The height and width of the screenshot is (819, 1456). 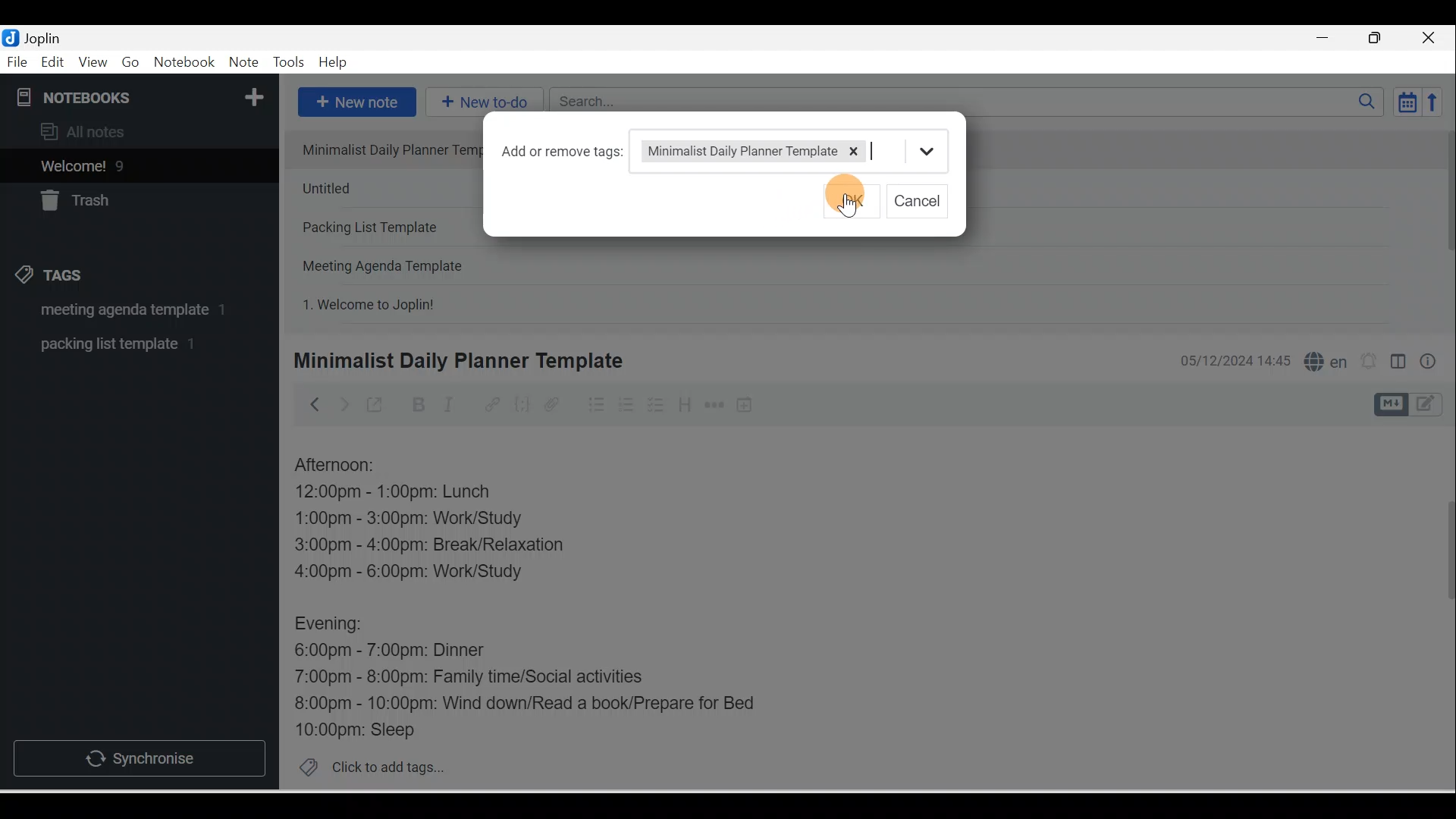 I want to click on Forward, so click(x=343, y=403).